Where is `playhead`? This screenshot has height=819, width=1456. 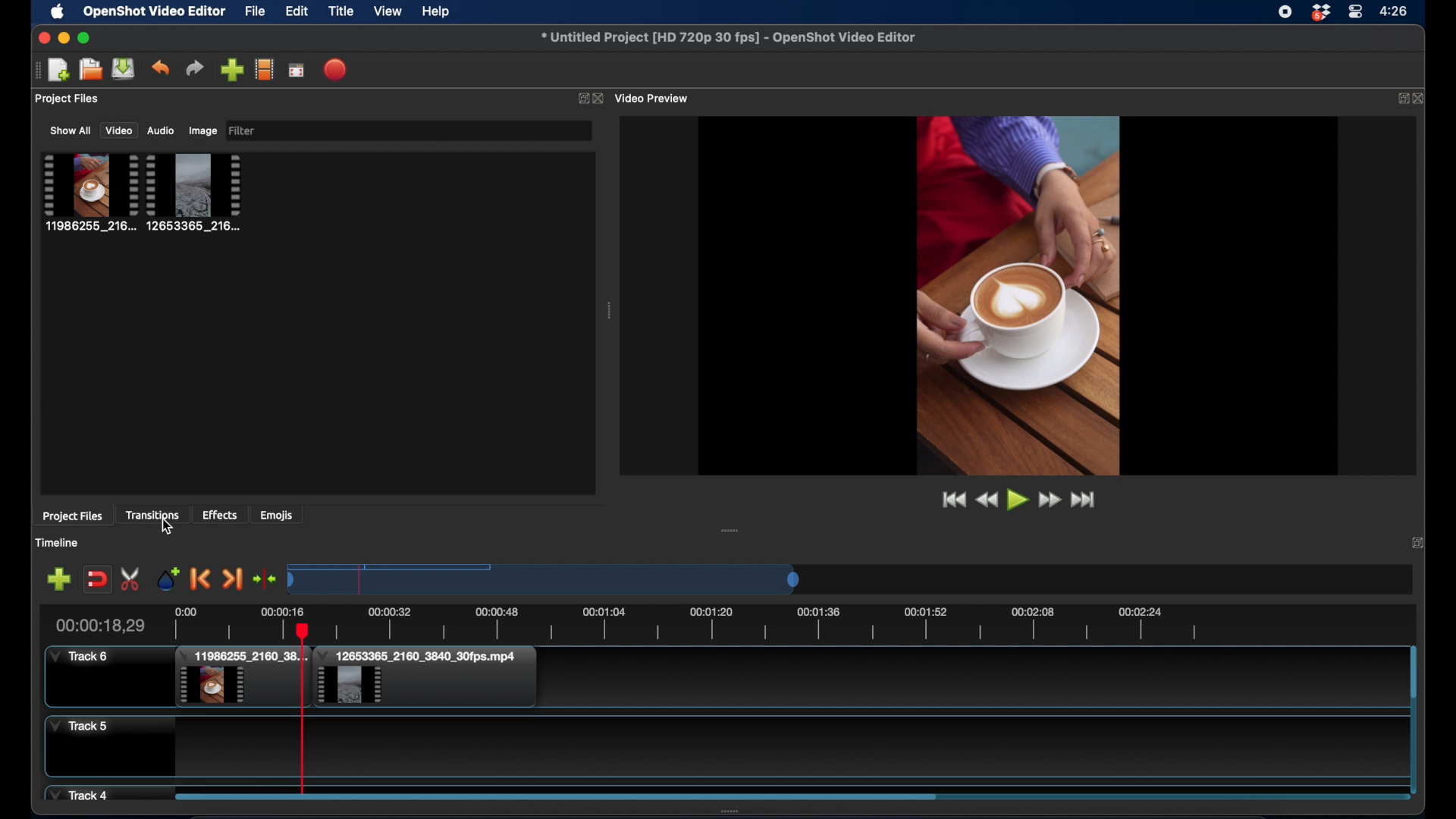 playhead is located at coordinates (303, 713).